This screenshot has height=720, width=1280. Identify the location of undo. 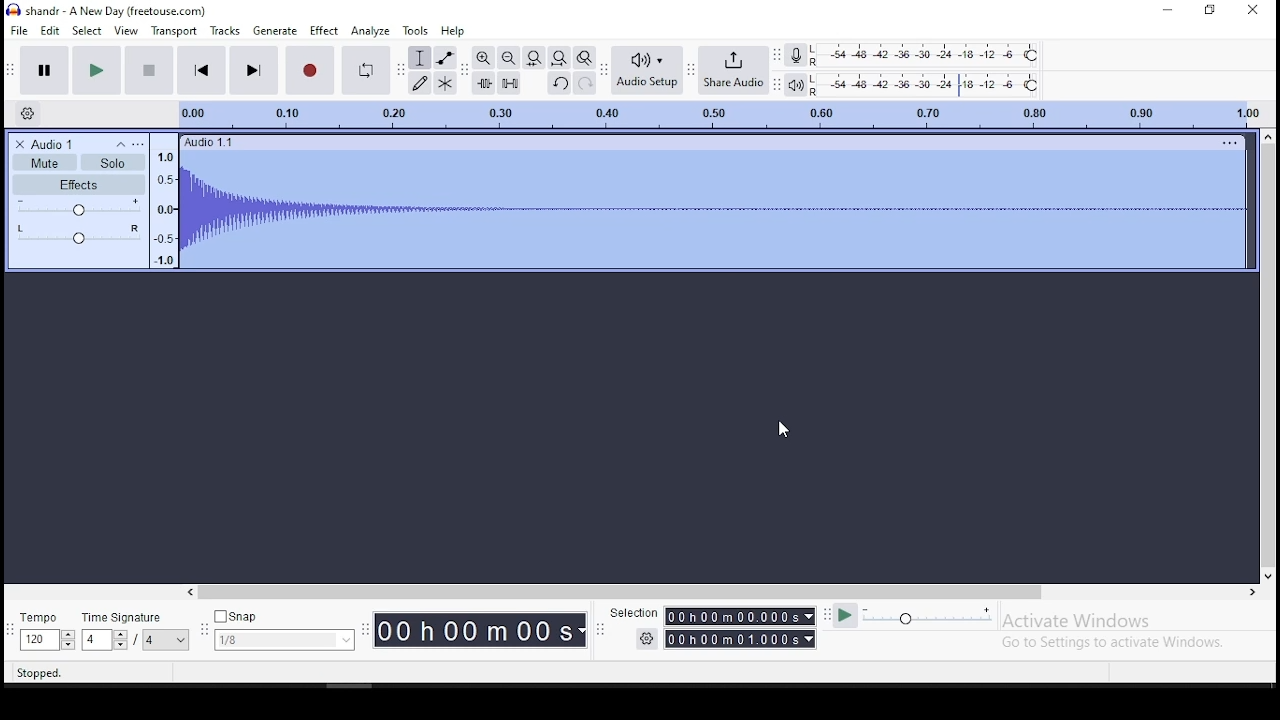
(559, 83).